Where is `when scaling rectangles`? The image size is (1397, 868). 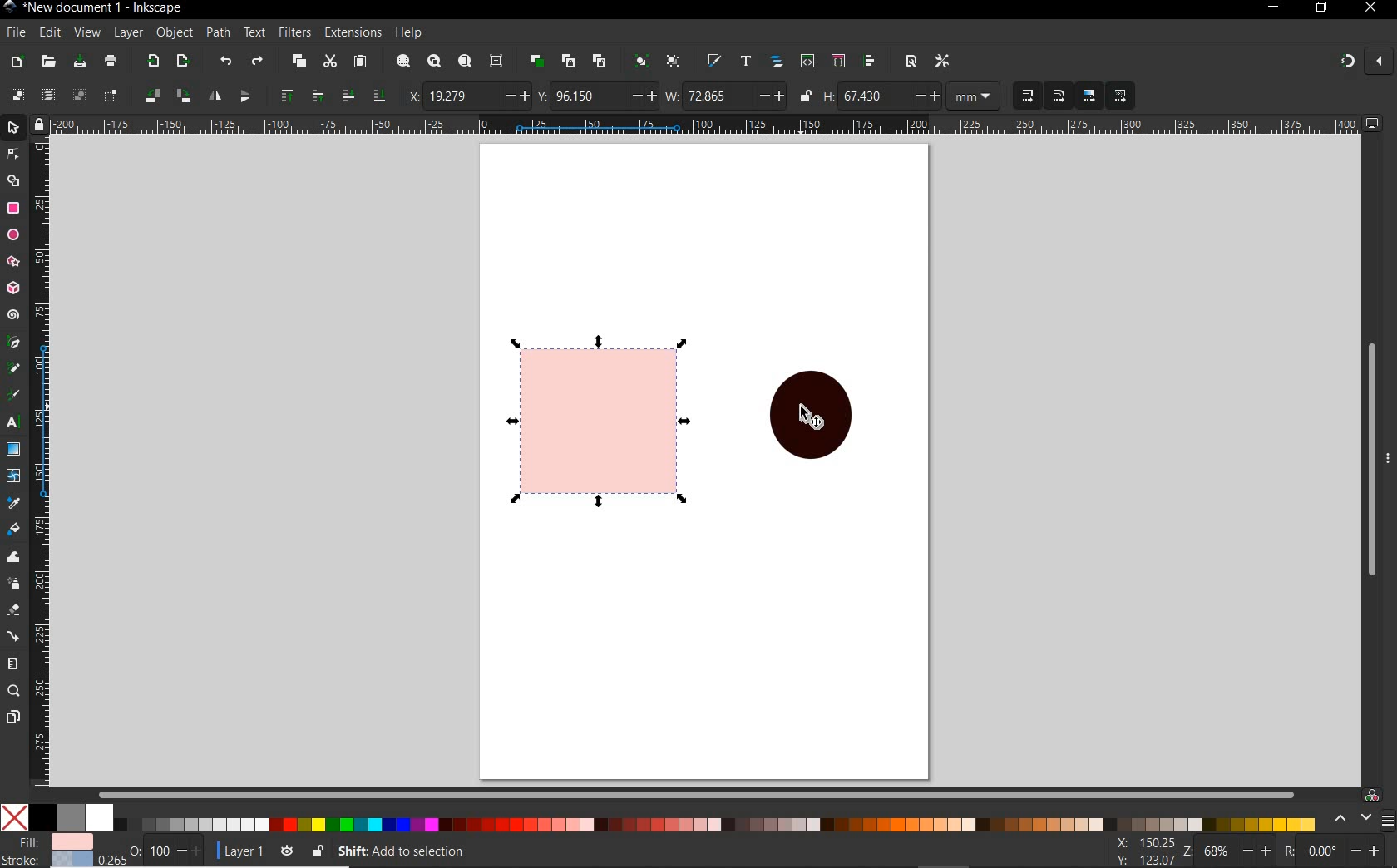
when scaling rectangles is located at coordinates (1059, 96).